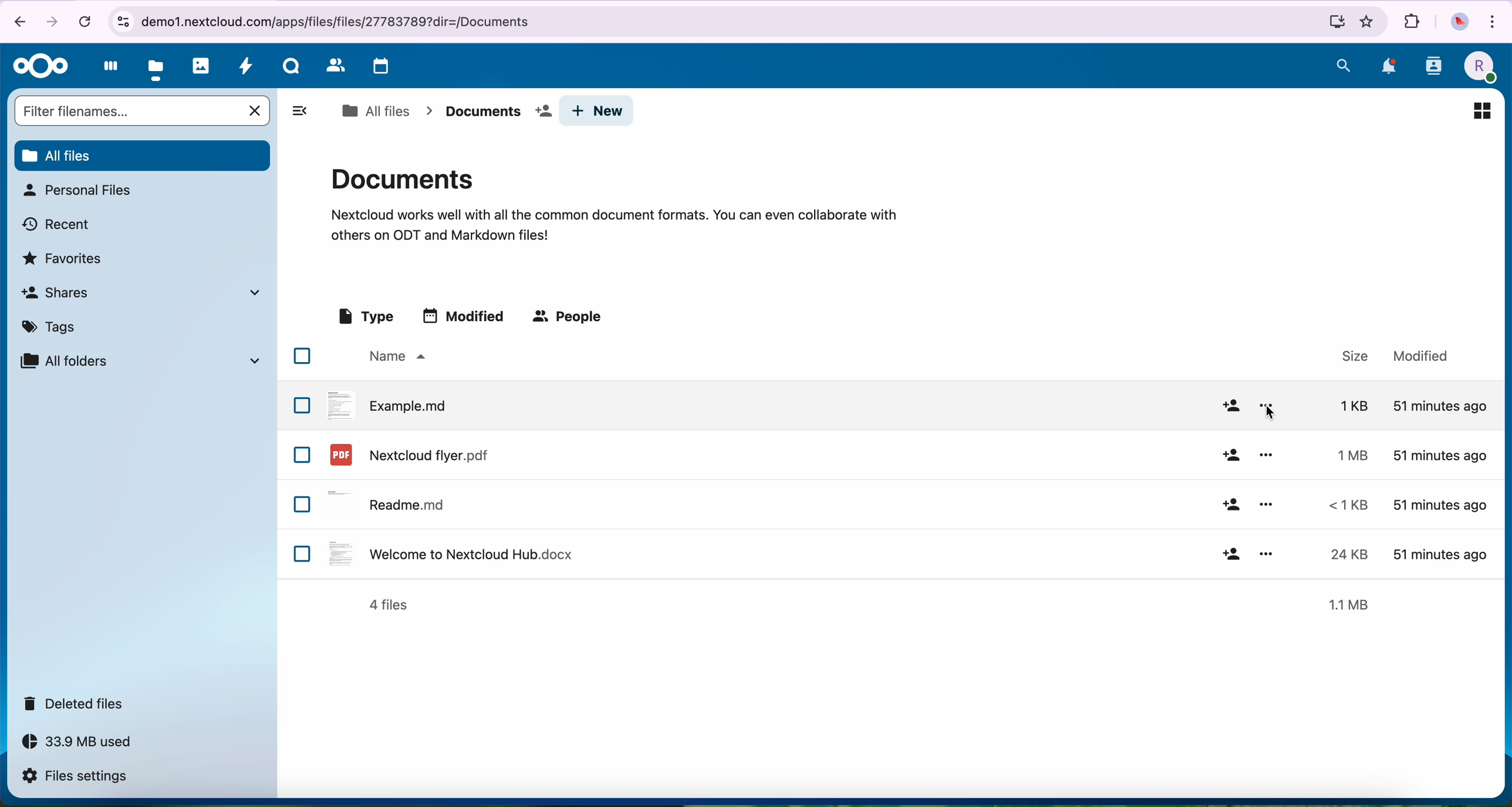  I want to click on toggle sidebar, so click(299, 110).